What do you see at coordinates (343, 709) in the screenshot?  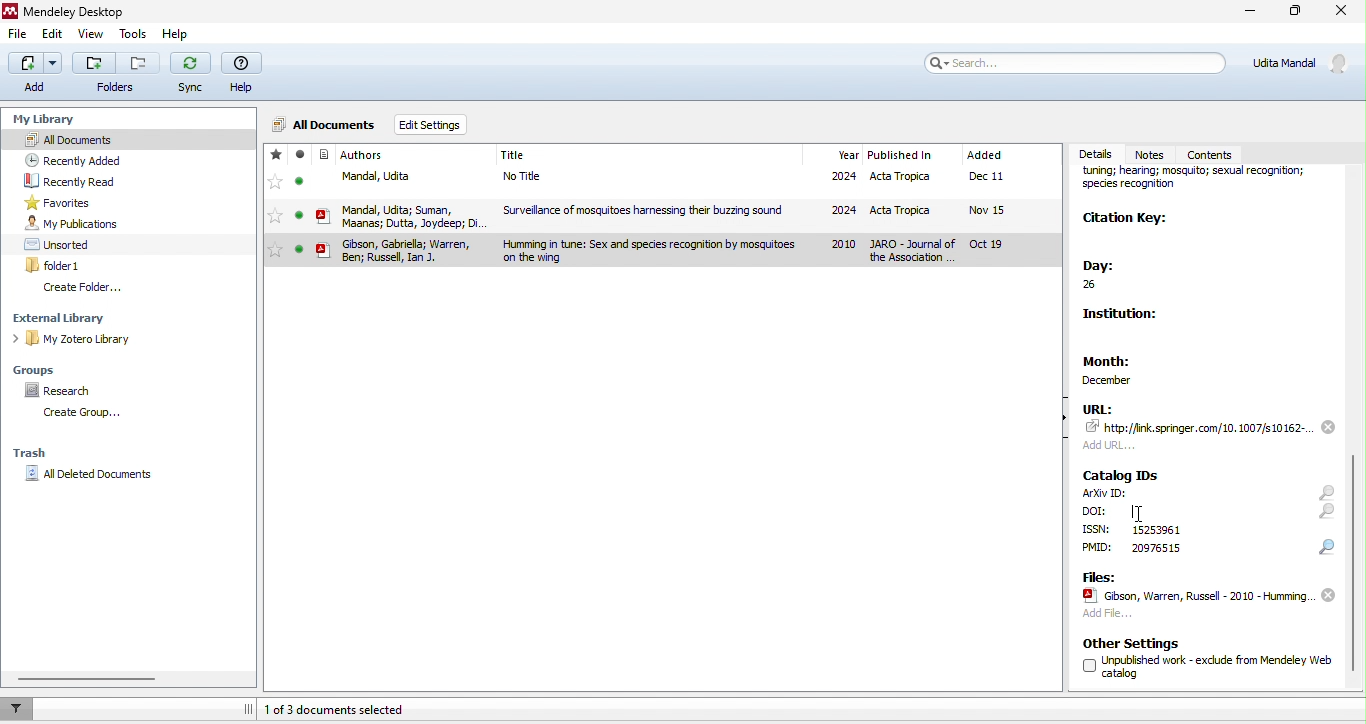 I see `1 of 3 documents selected` at bounding box center [343, 709].